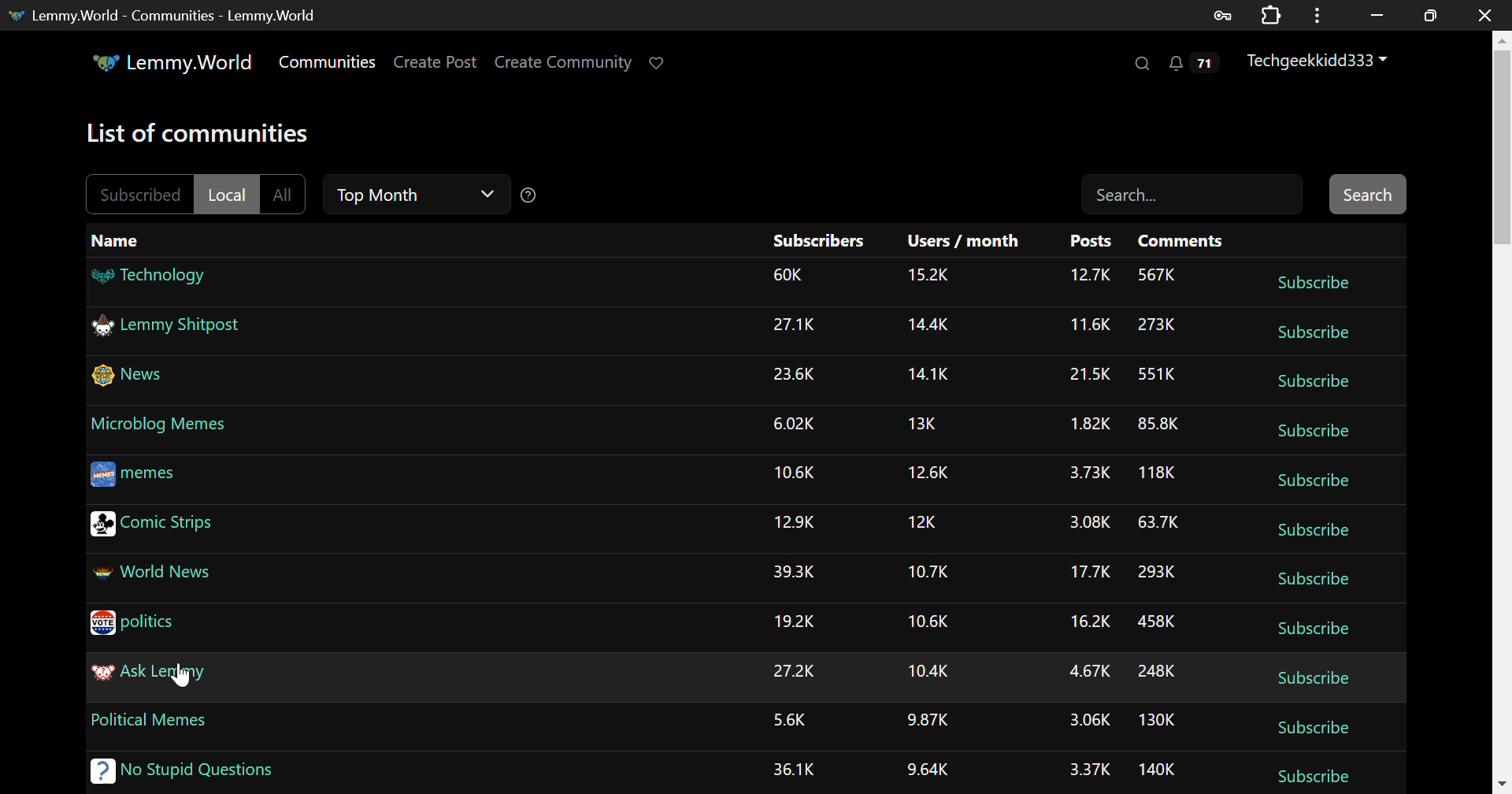  What do you see at coordinates (1313, 480) in the screenshot?
I see `Subscribe` at bounding box center [1313, 480].